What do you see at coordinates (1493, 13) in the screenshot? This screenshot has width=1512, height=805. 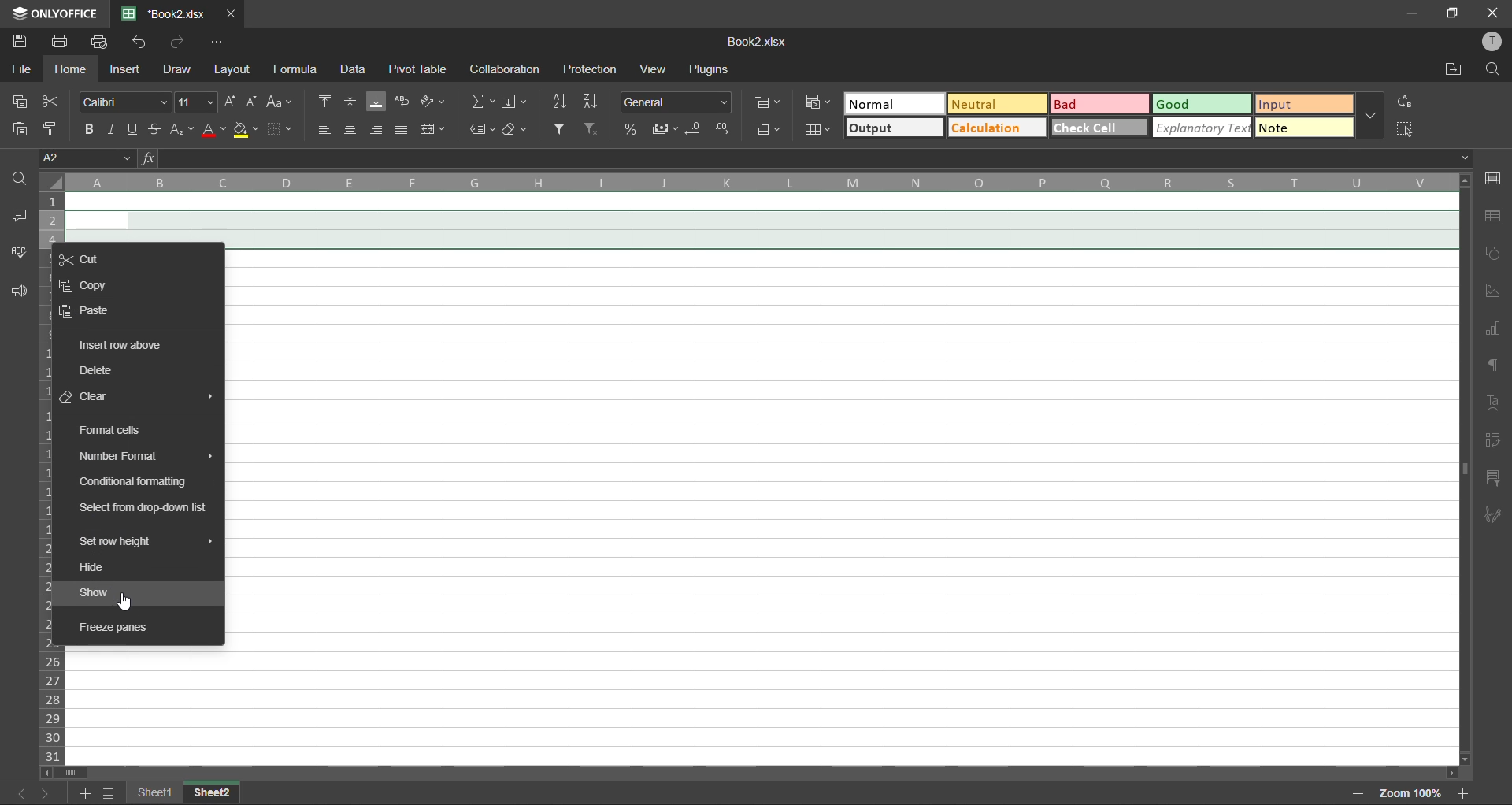 I see `close` at bounding box center [1493, 13].